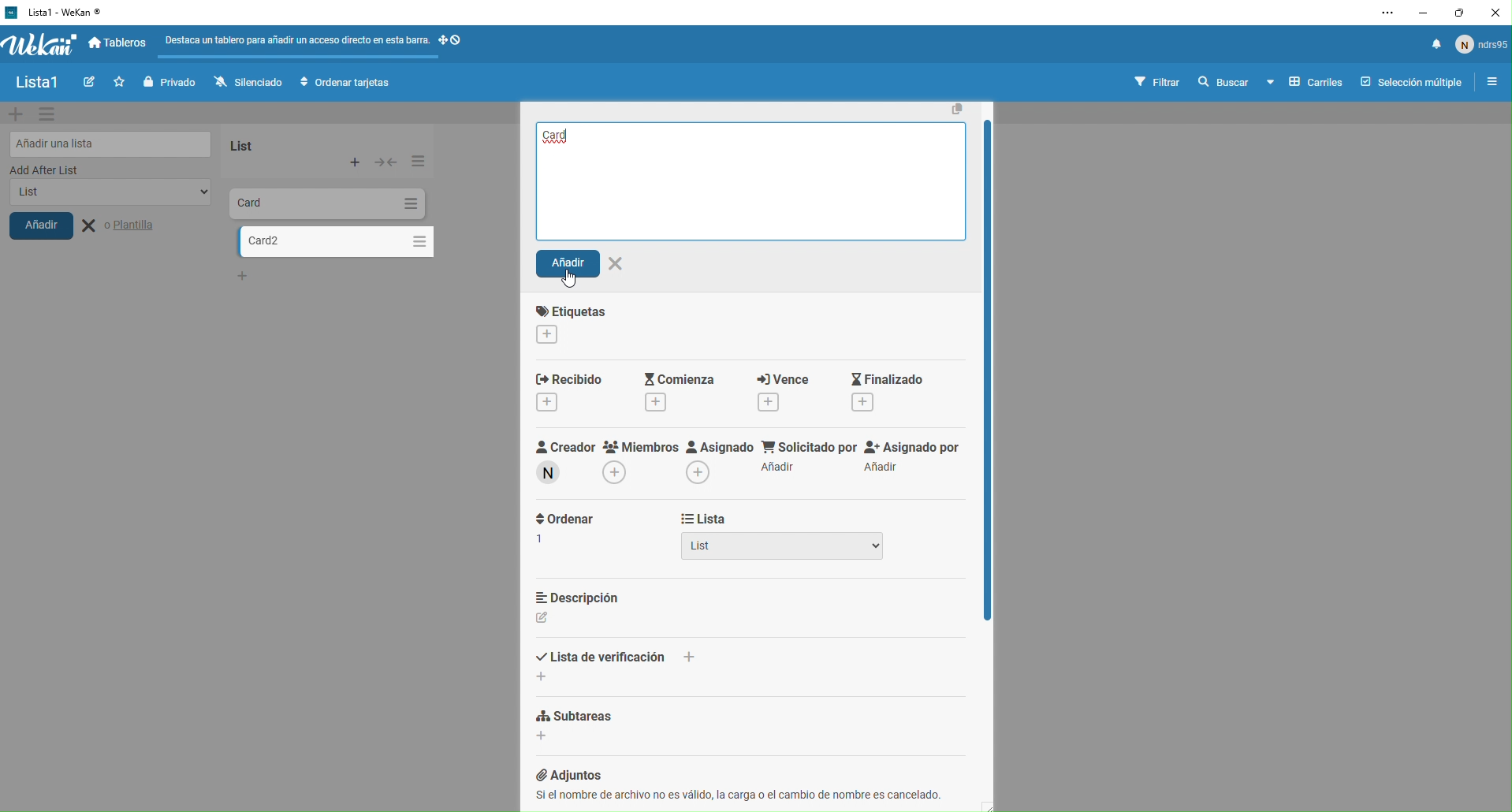 This screenshot has width=1512, height=812. Describe the element at coordinates (1380, 14) in the screenshot. I see `settings` at that location.